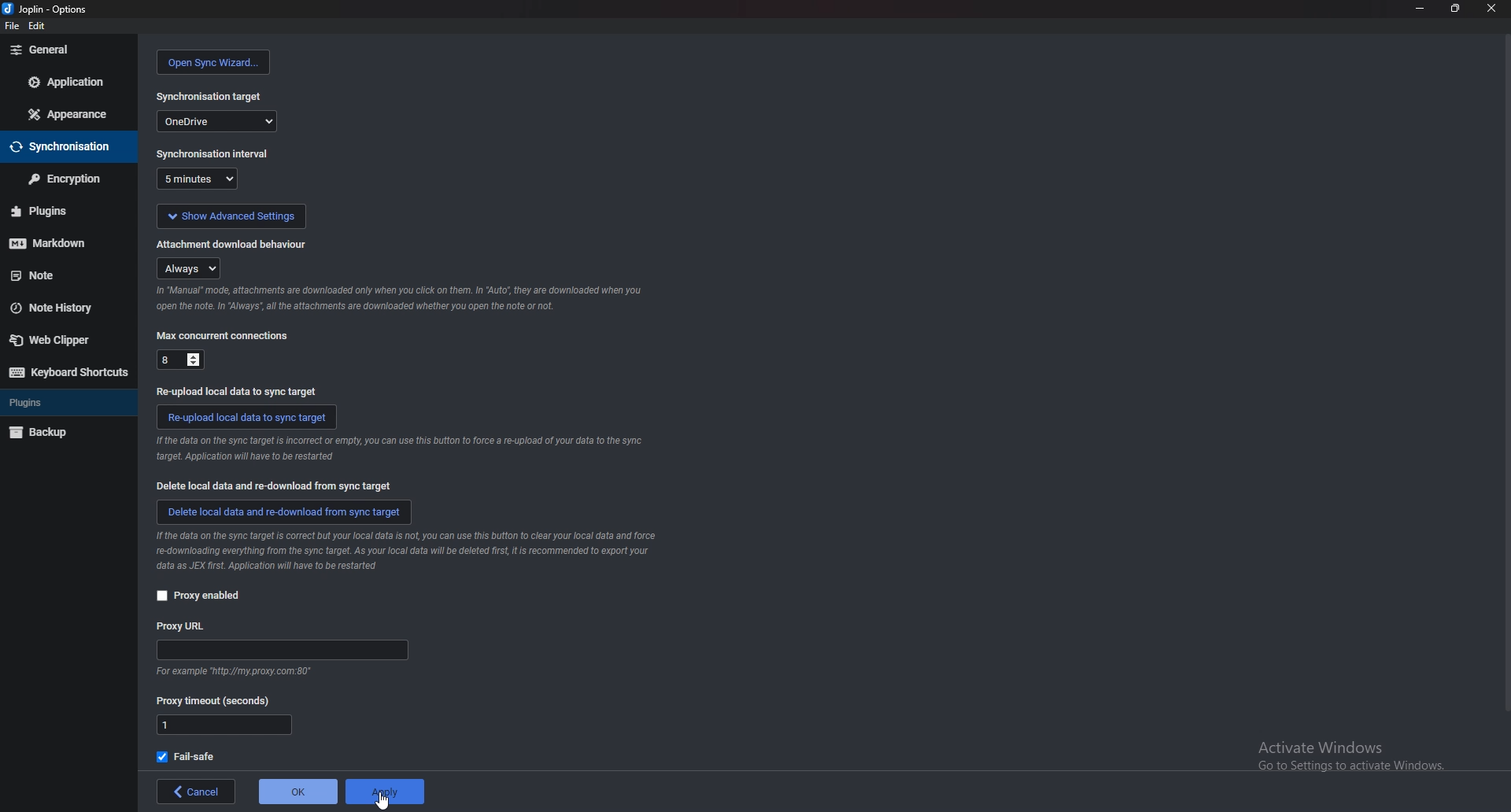  What do you see at coordinates (1339, 758) in the screenshot?
I see `Activate Windows` at bounding box center [1339, 758].